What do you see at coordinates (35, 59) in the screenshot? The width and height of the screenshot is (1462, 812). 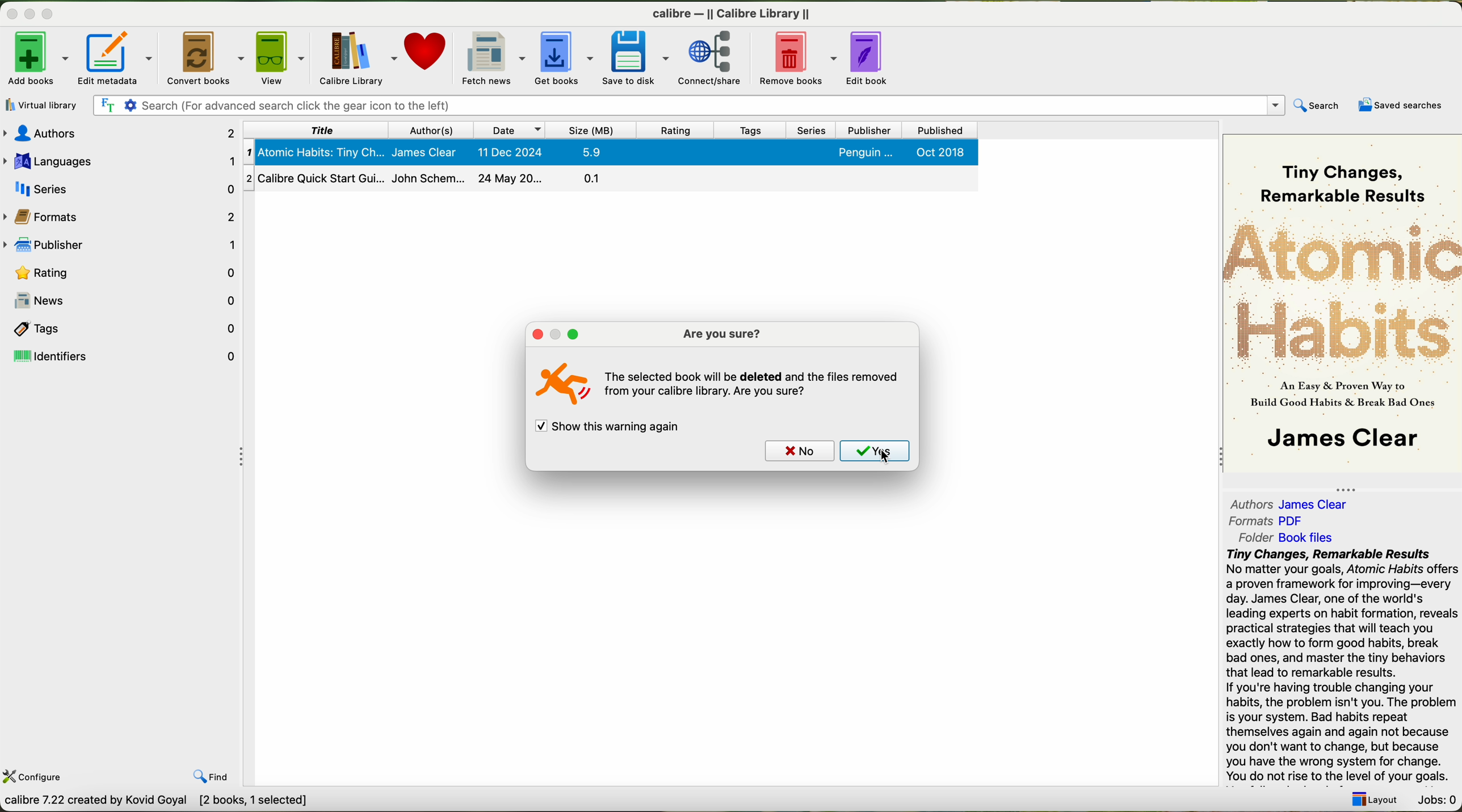 I see `add books` at bounding box center [35, 59].